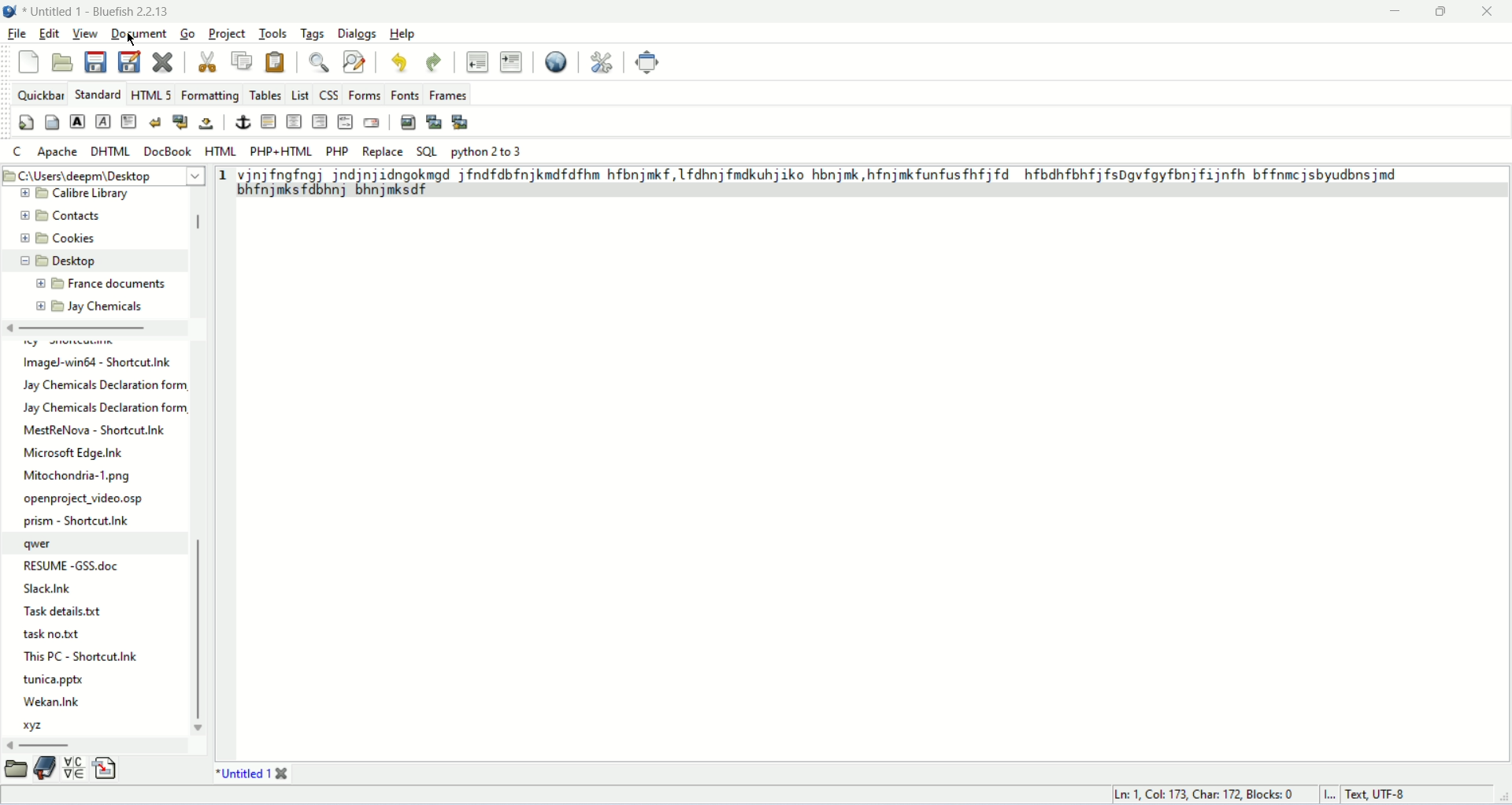 This screenshot has width=1512, height=805. Describe the element at coordinates (80, 327) in the screenshot. I see `horizontal scroll bar` at that location.